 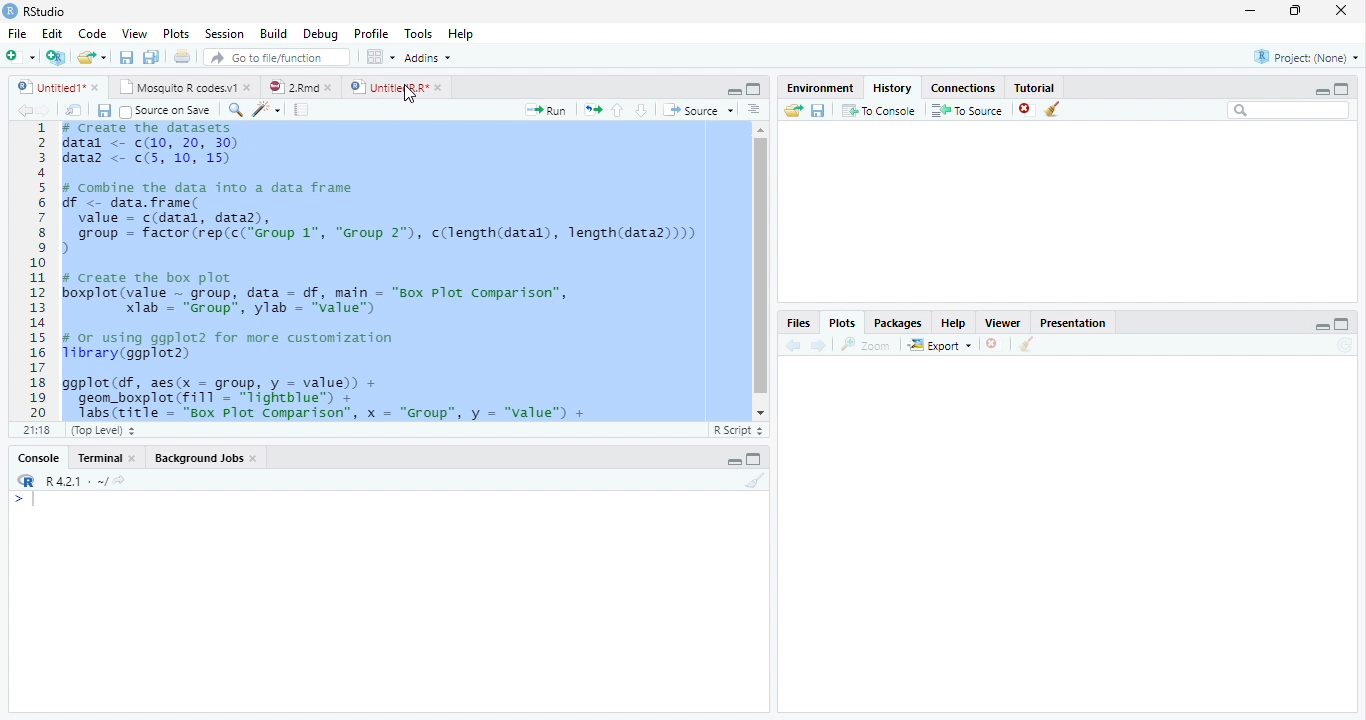 What do you see at coordinates (1321, 92) in the screenshot?
I see `Minimize` at bounding box center [1321, 92].